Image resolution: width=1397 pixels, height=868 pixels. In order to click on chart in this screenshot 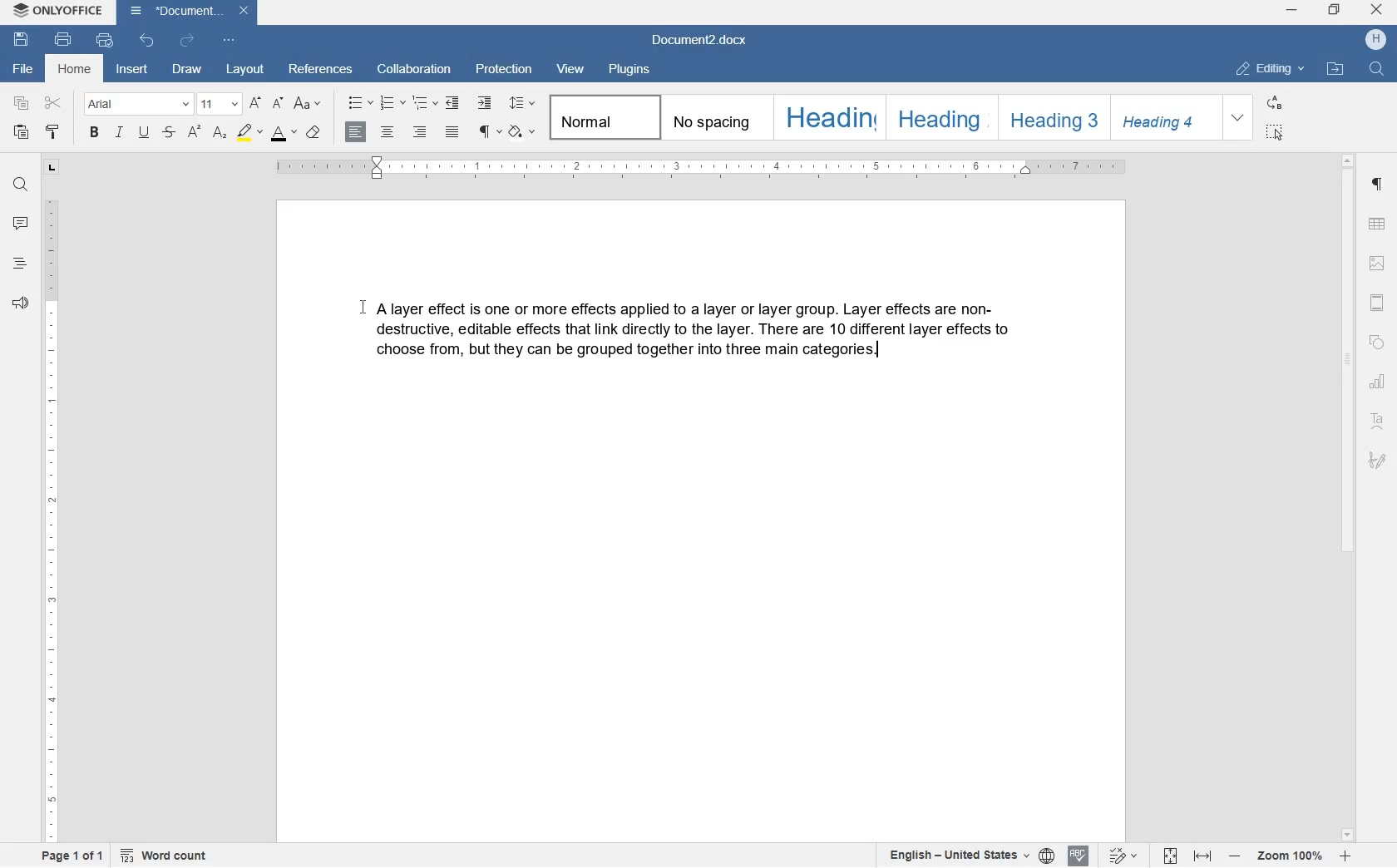, I will do `click(1379, 382)`.